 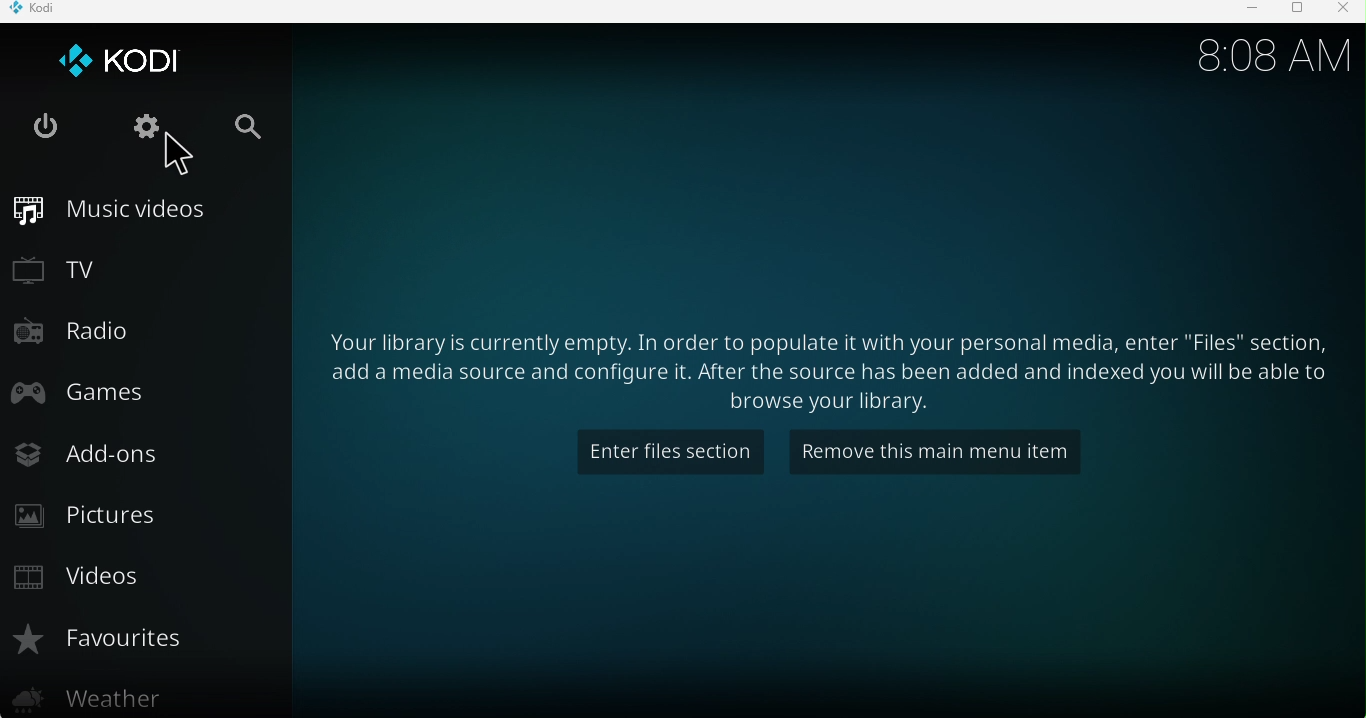 What do you see at coordinates (256, 129) in the screenshot?
I see `Search bar` at bounding box center [256, 129].